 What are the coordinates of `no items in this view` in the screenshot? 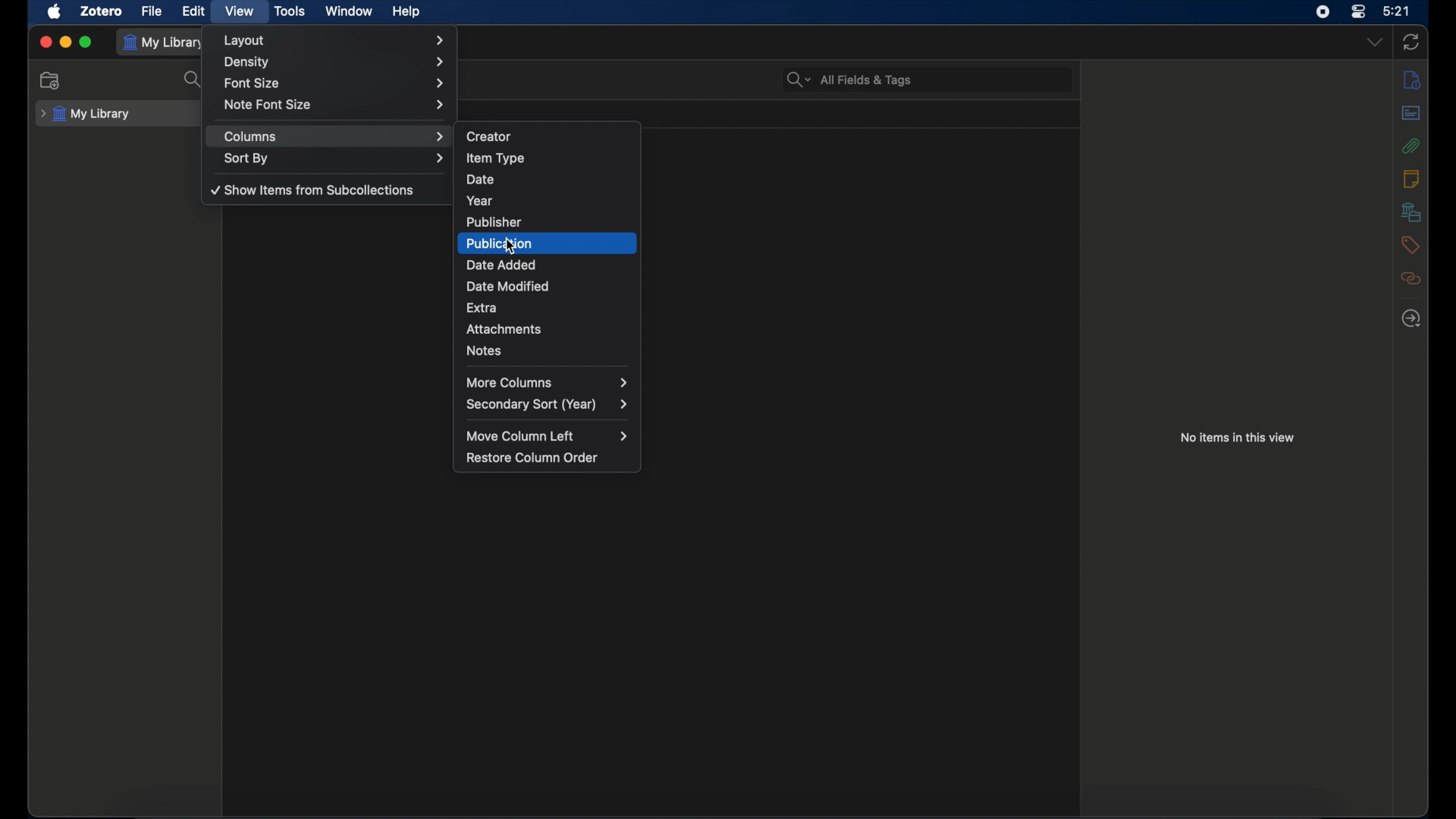 It's located at (1238, 437).